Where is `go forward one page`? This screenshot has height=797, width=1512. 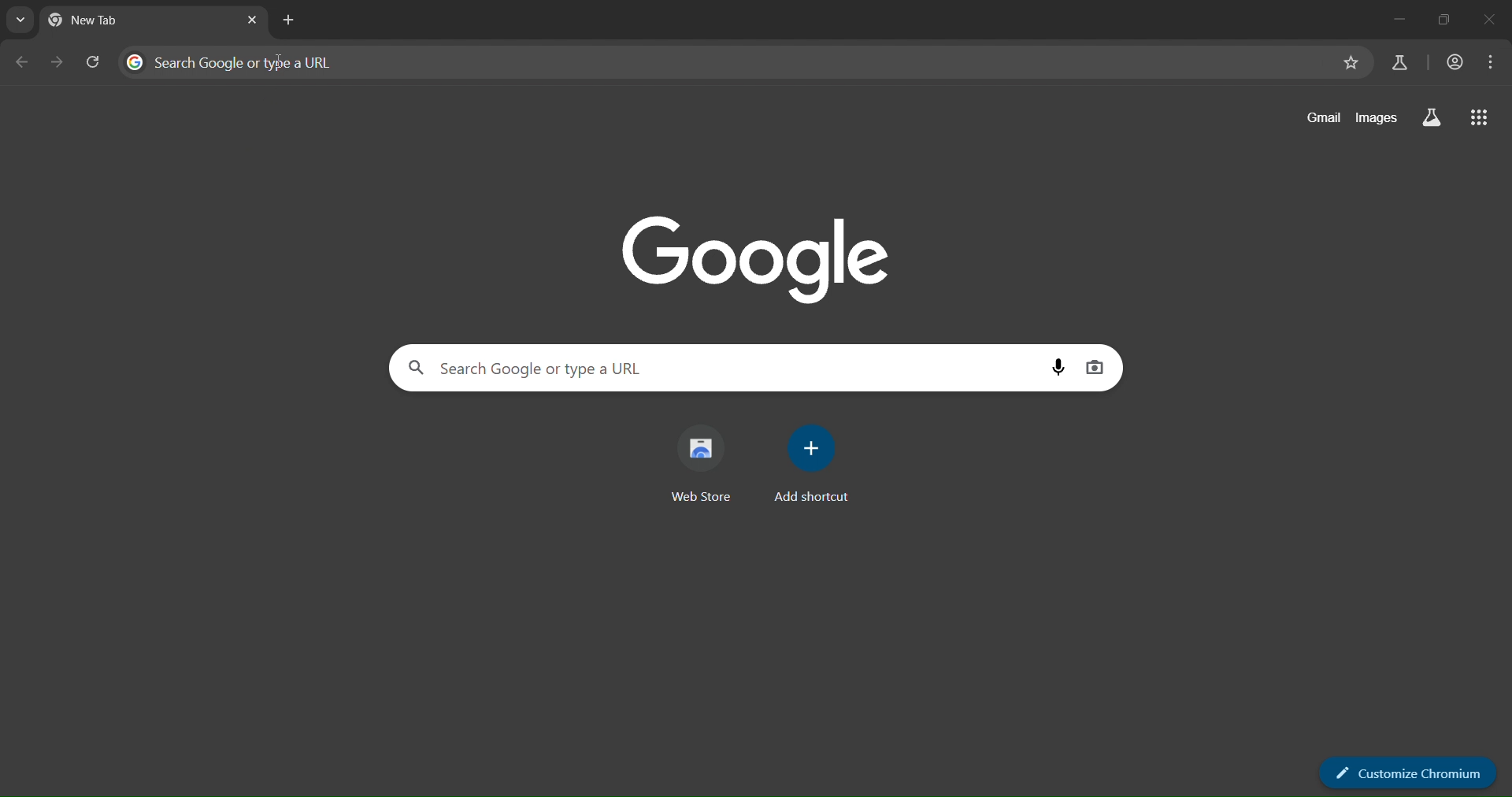 go forward one page is located at coordinates (57, 61).